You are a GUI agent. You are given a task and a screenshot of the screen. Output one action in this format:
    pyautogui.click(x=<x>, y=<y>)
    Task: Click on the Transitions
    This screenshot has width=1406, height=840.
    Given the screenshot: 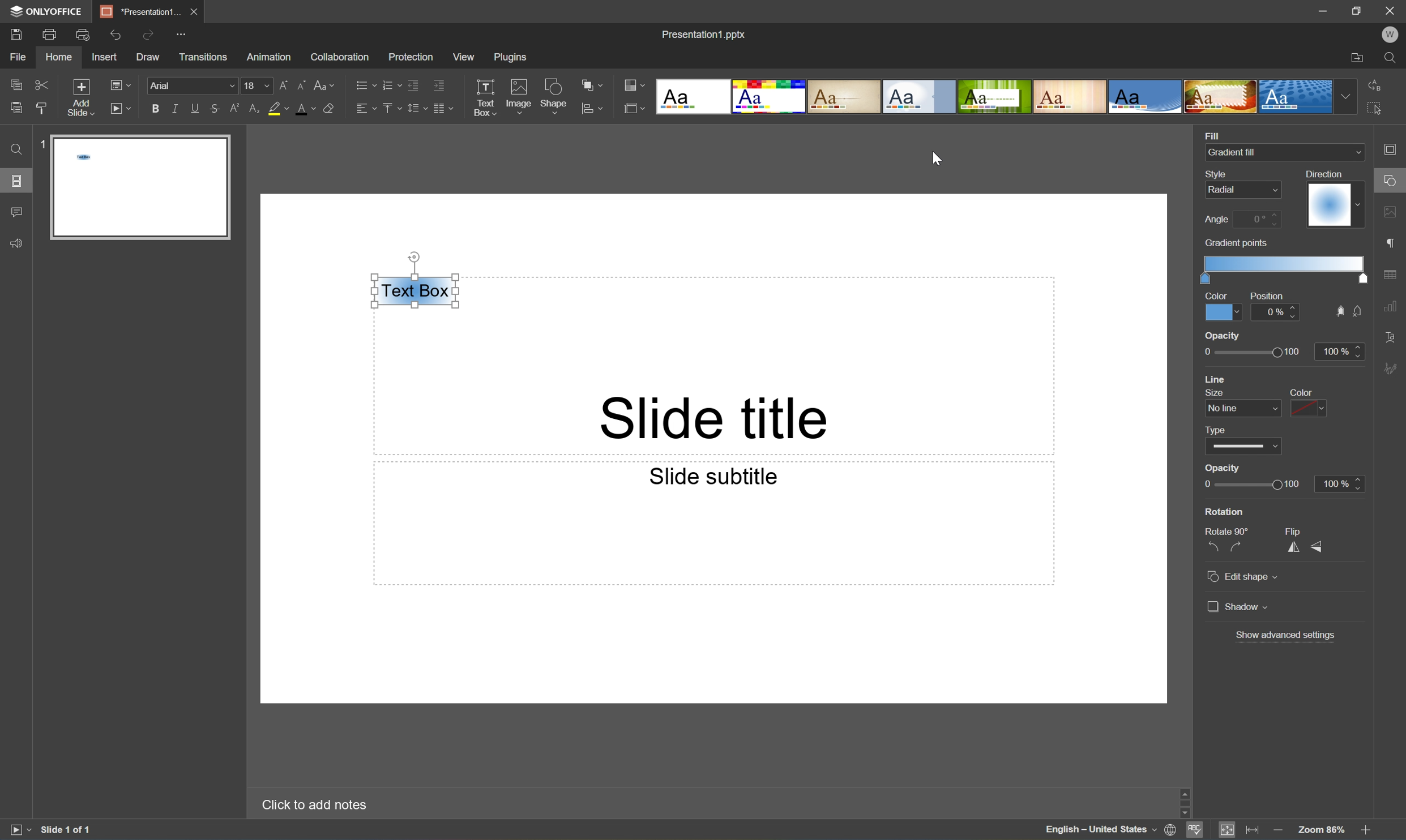 What is the action you would take?
    pyautogui.click(x=205, y=57)
    